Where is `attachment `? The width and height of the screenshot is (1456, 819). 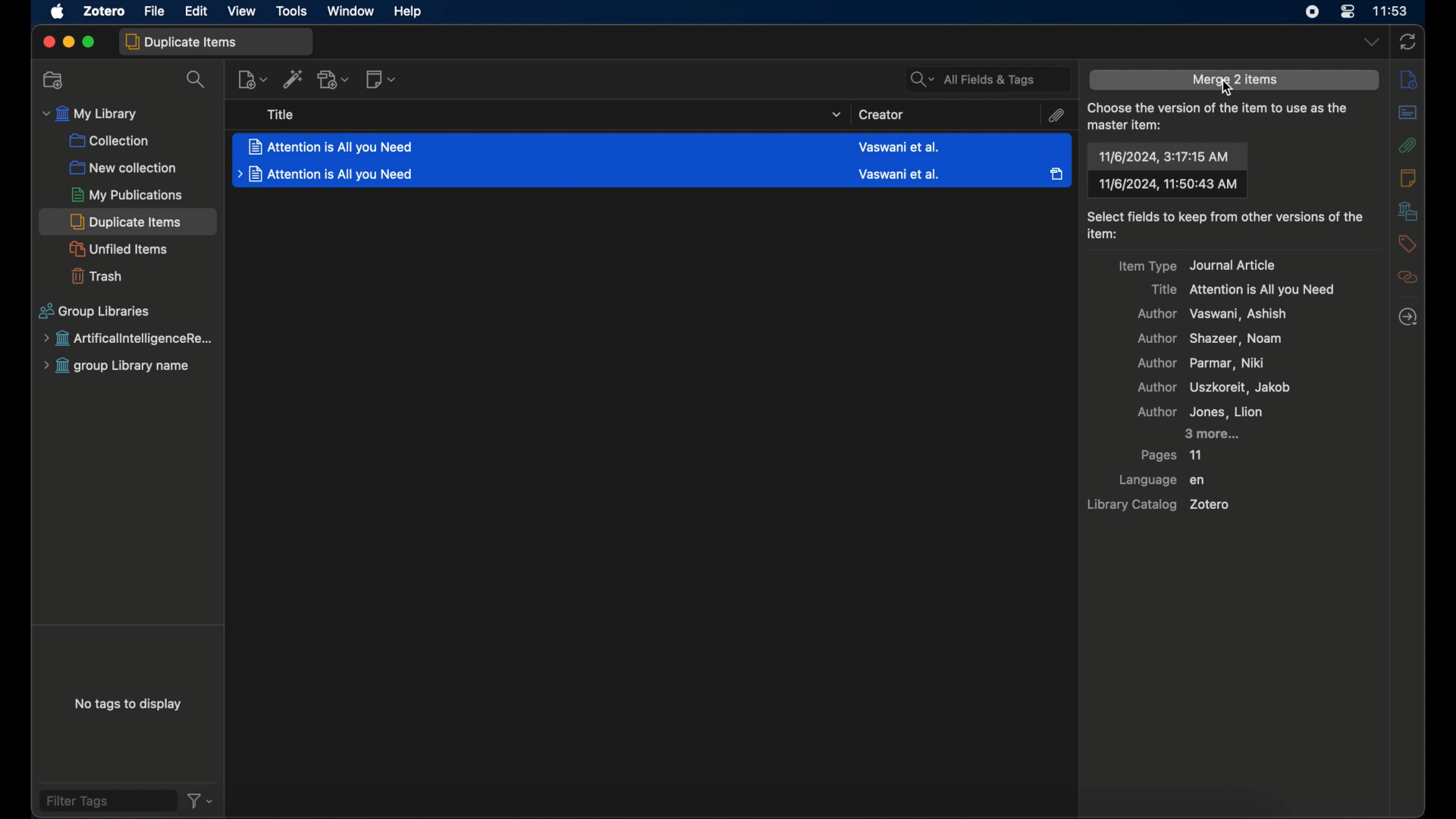
attachment  is located at coordinates (1056, 118).